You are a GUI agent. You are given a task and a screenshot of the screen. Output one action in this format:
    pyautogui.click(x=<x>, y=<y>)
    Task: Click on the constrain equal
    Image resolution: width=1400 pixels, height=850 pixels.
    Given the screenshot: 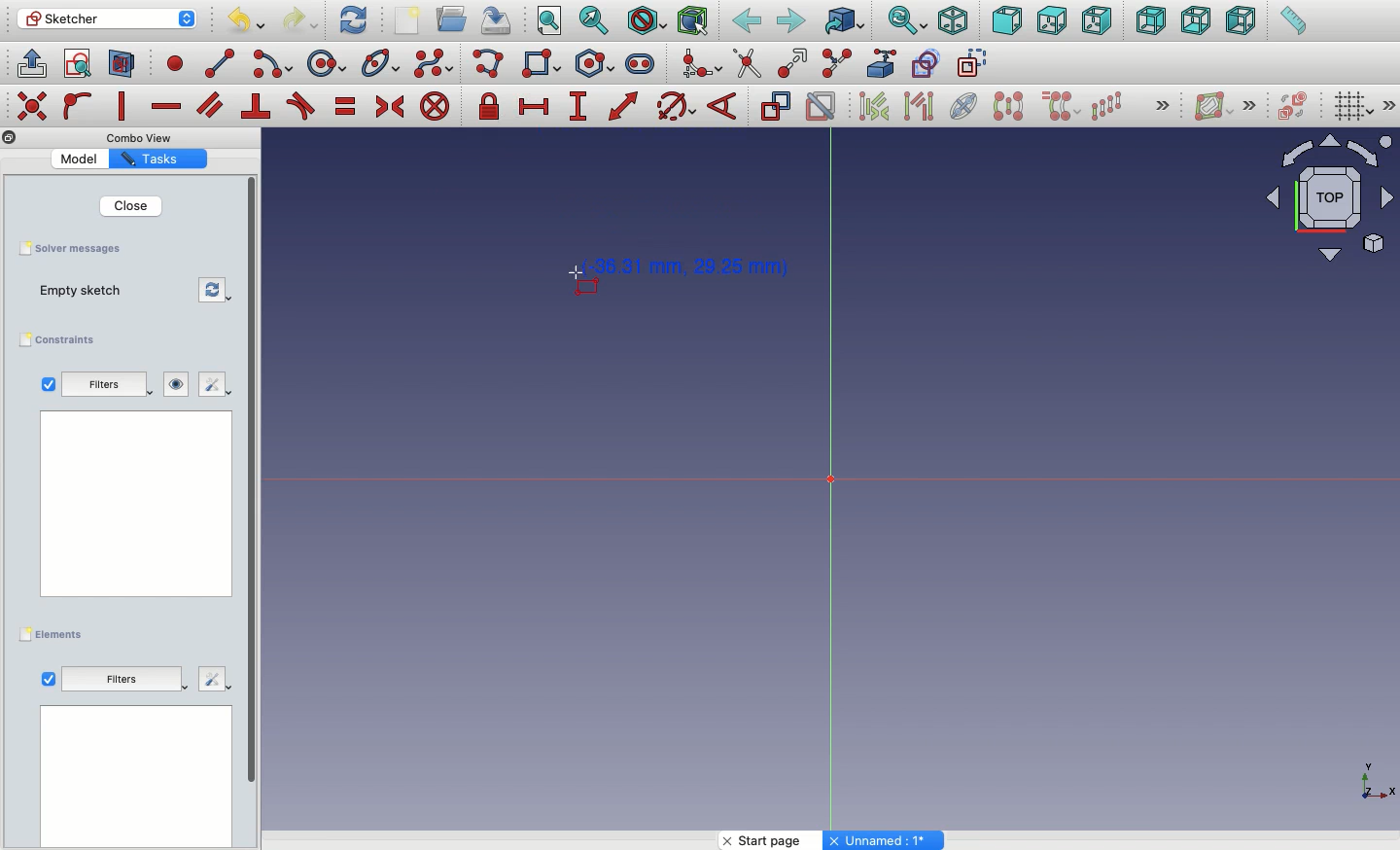 What is the action you would take?
    pyautogui.click(x=346, y=106)
    